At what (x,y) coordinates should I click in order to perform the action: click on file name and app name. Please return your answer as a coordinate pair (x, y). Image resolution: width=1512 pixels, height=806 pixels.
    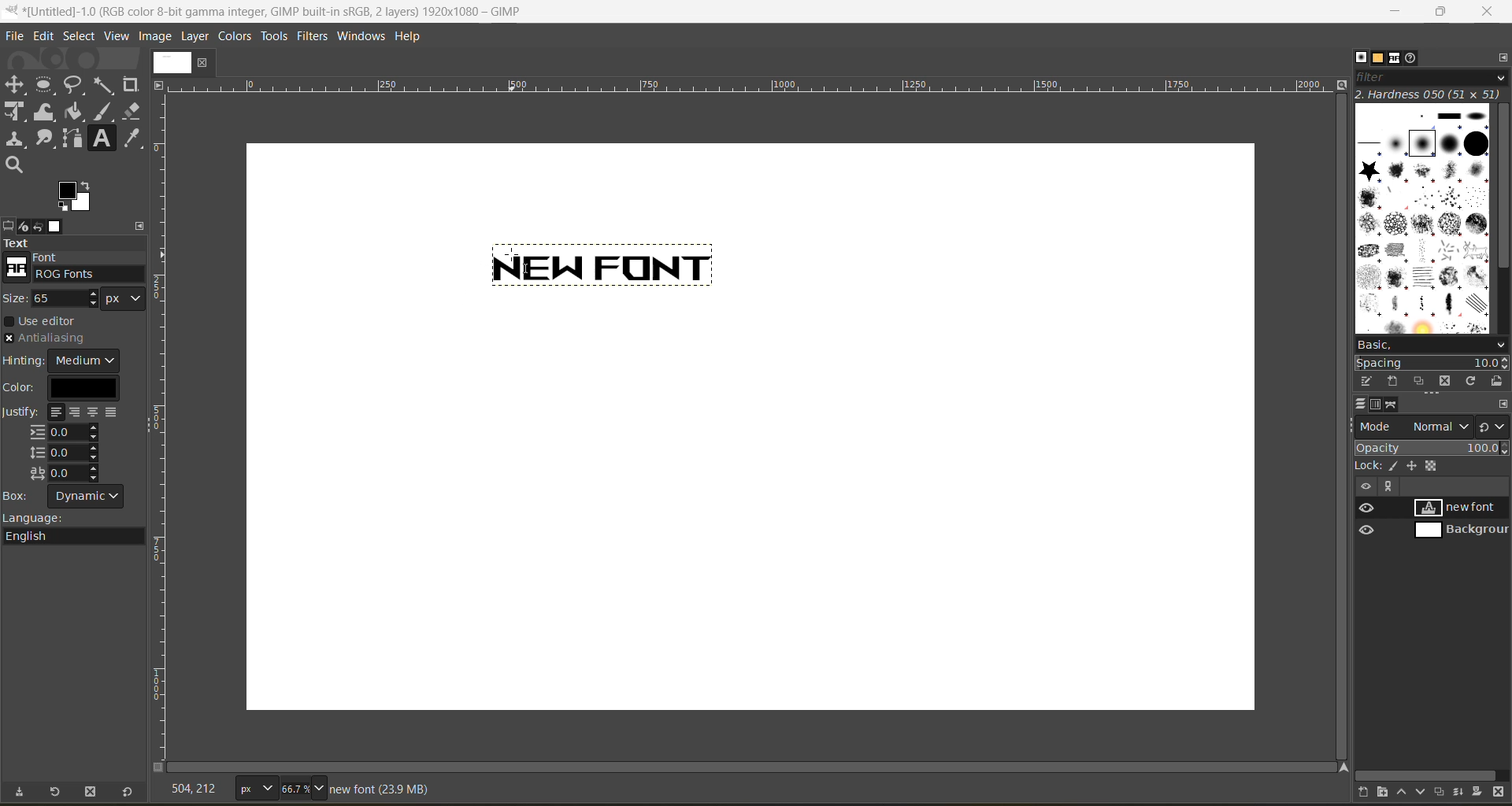
    Looking at the image, I should click on (280, 10).